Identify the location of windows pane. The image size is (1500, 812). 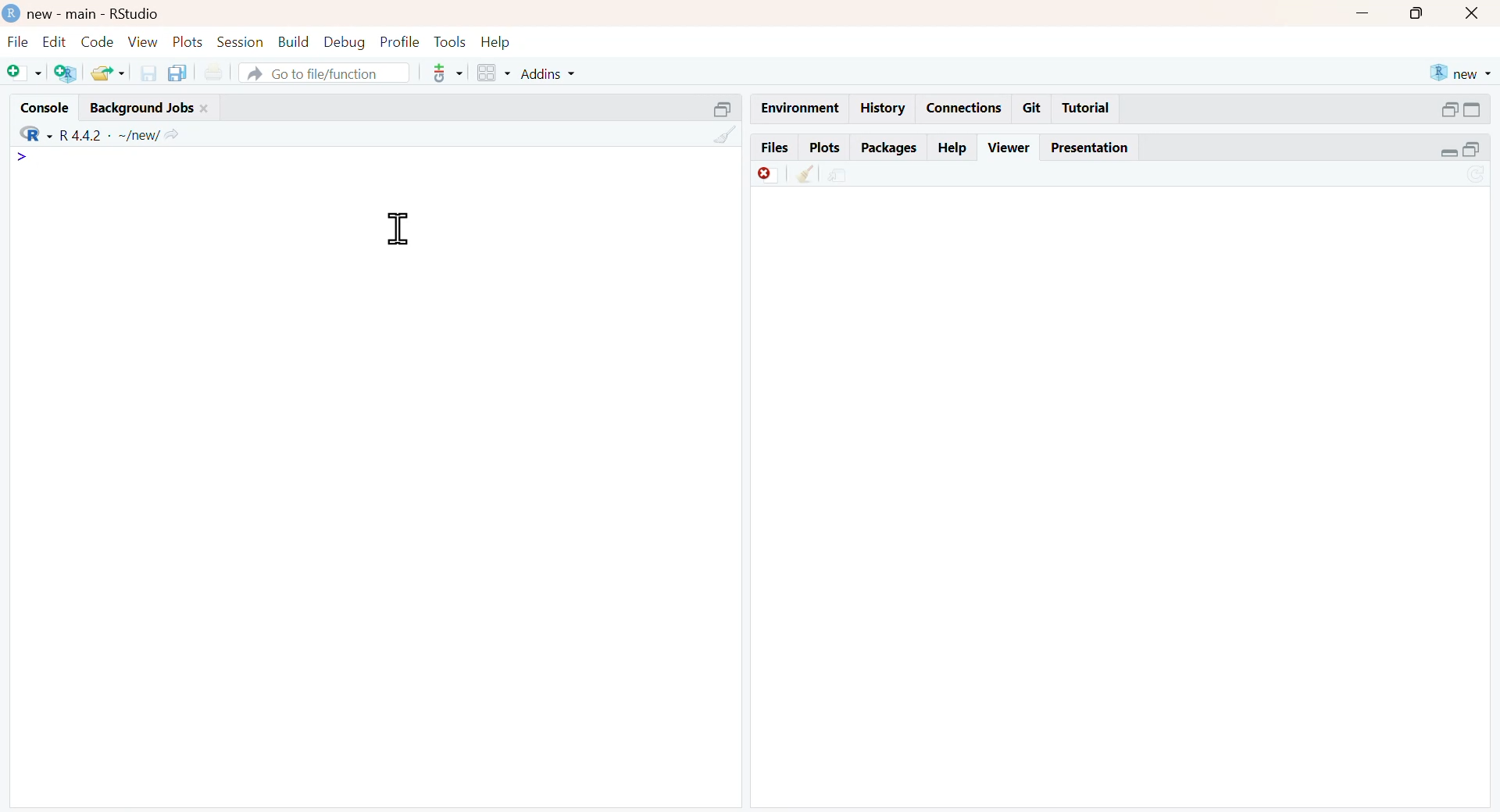
(487, 73).